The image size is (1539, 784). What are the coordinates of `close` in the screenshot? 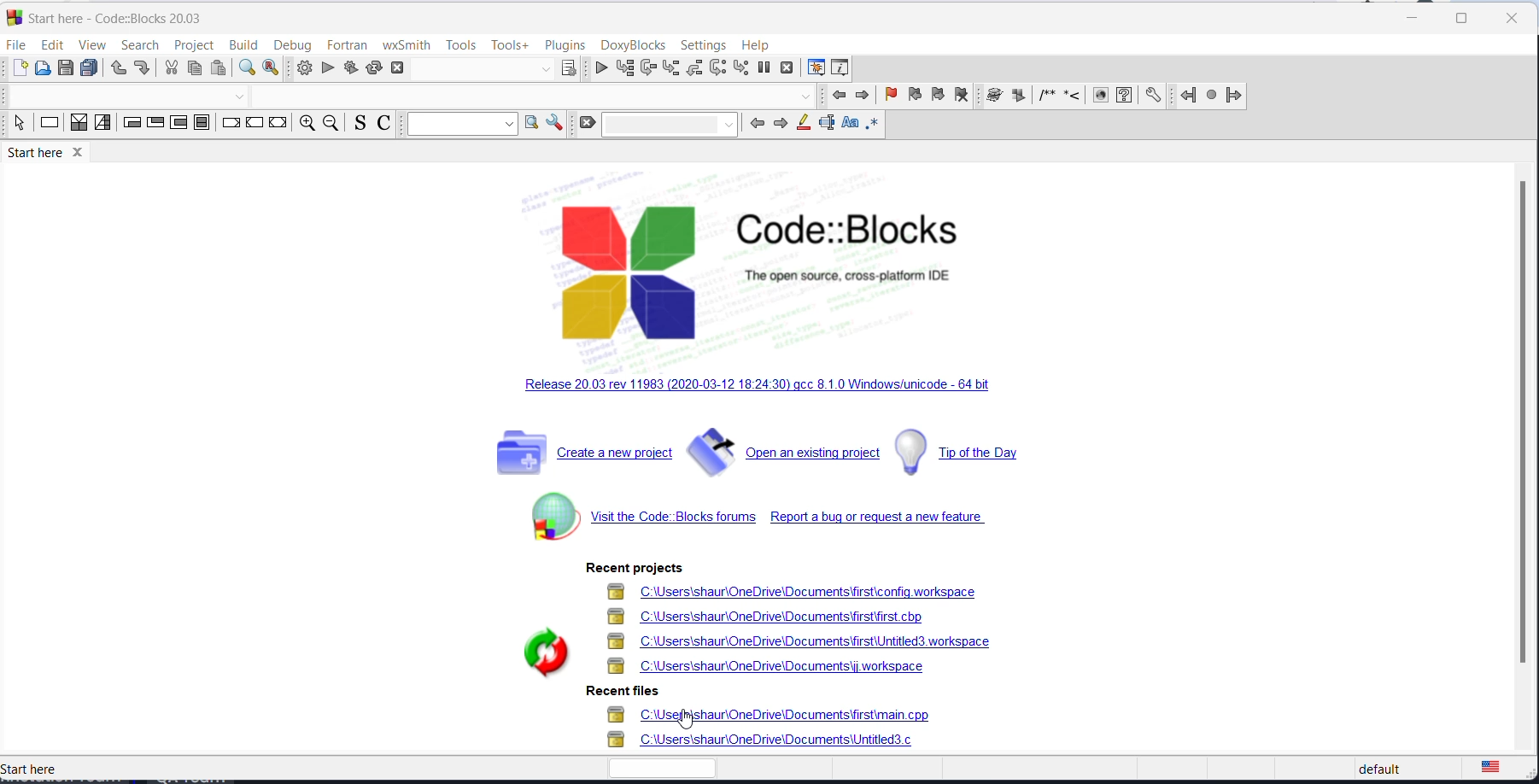 It's located at (1513, 20).